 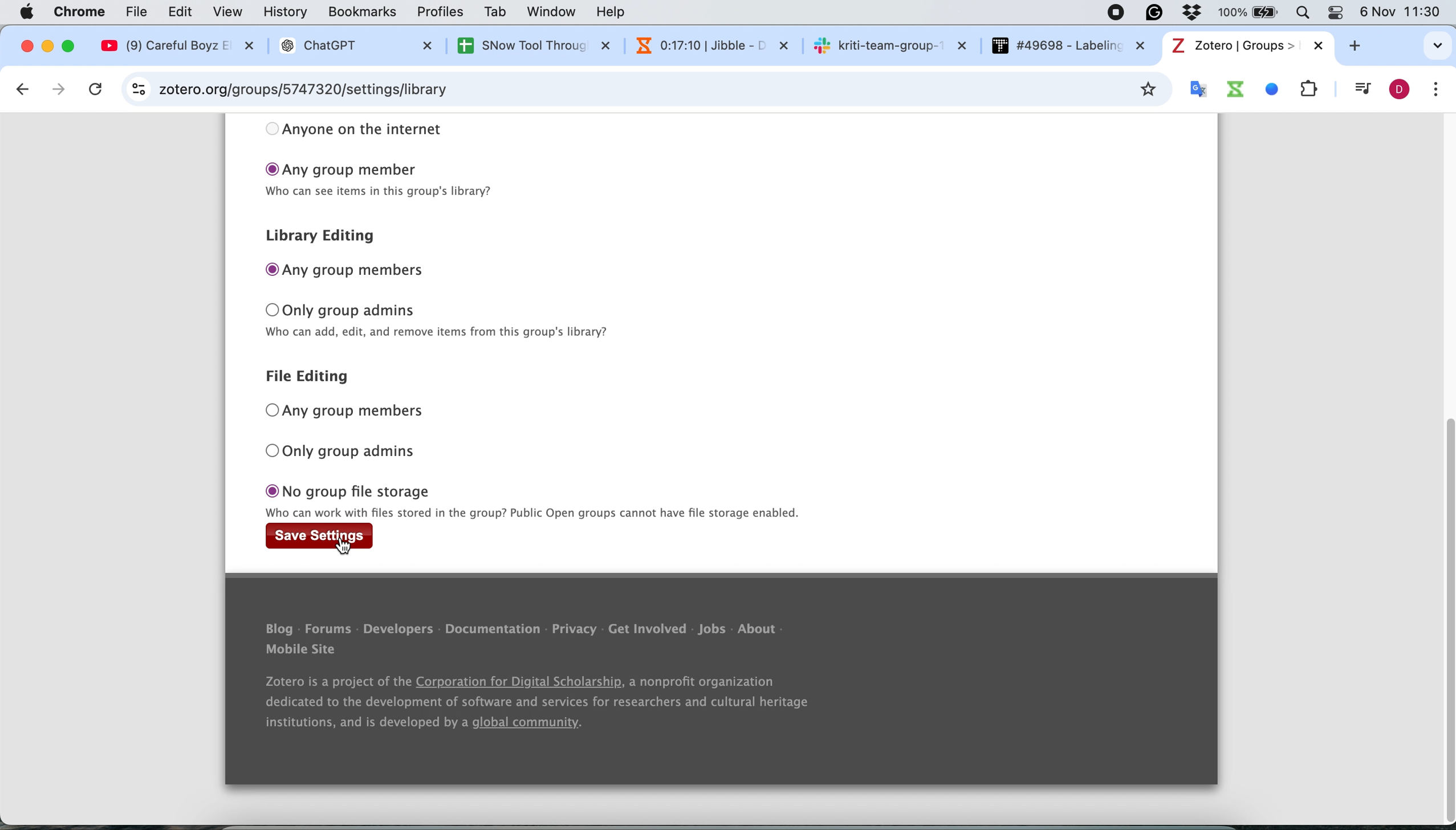 I want to click on view, so click(x=230, y=11).